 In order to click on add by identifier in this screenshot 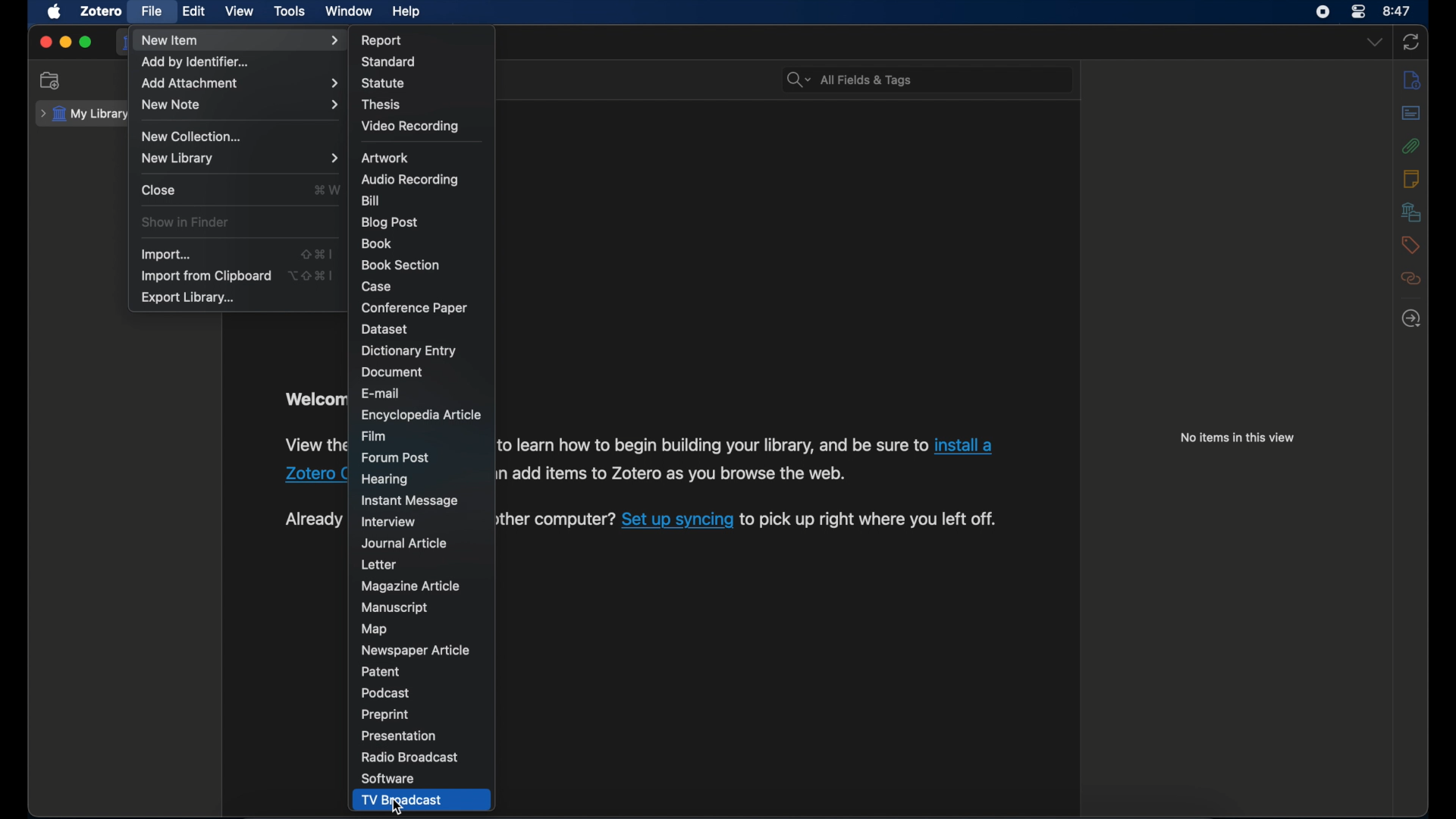, I will do `click(195, 62)`.